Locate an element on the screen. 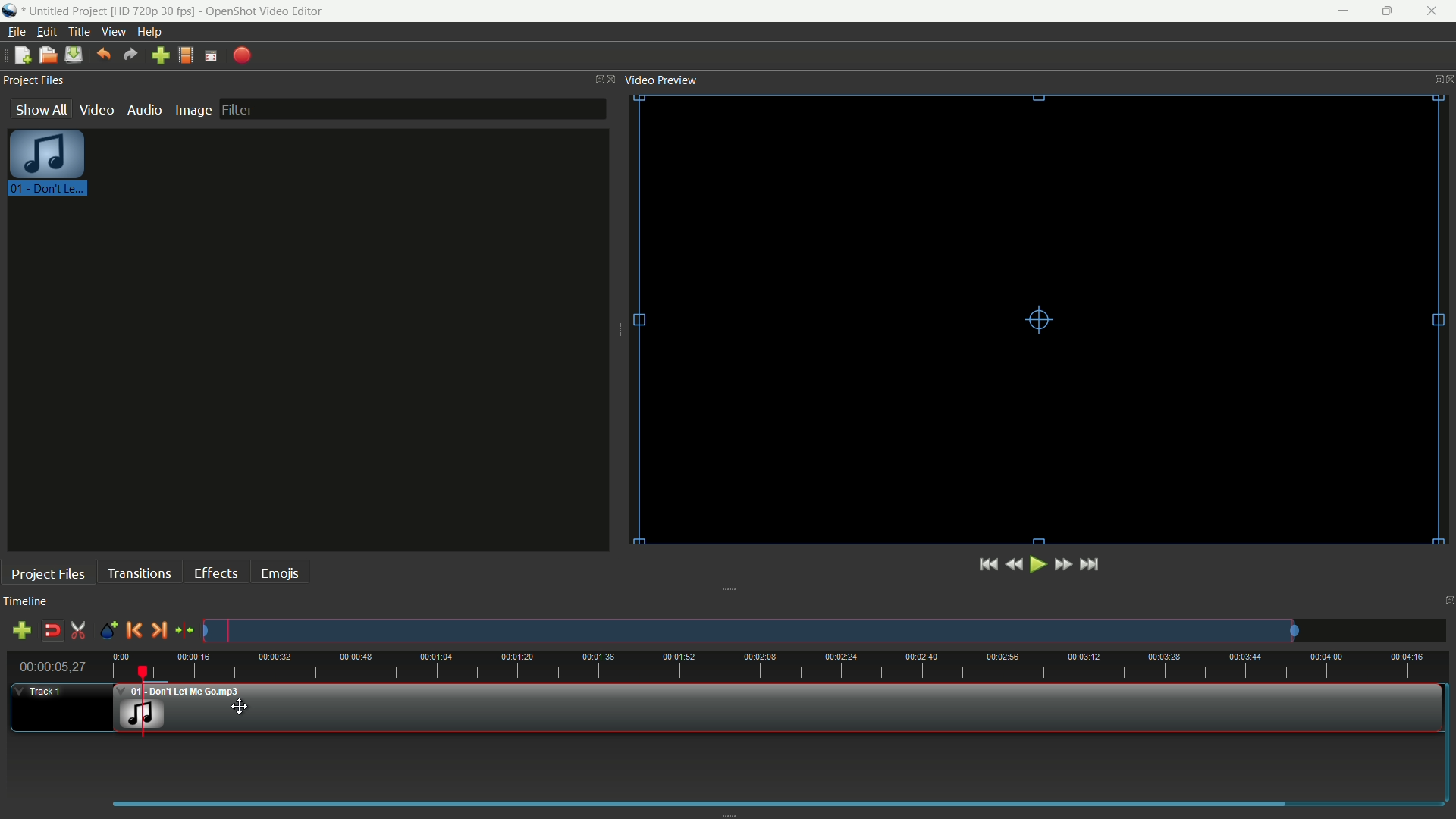 This screenshot has height=819, width=1456. filter bar is located at coordinates (413, 108).